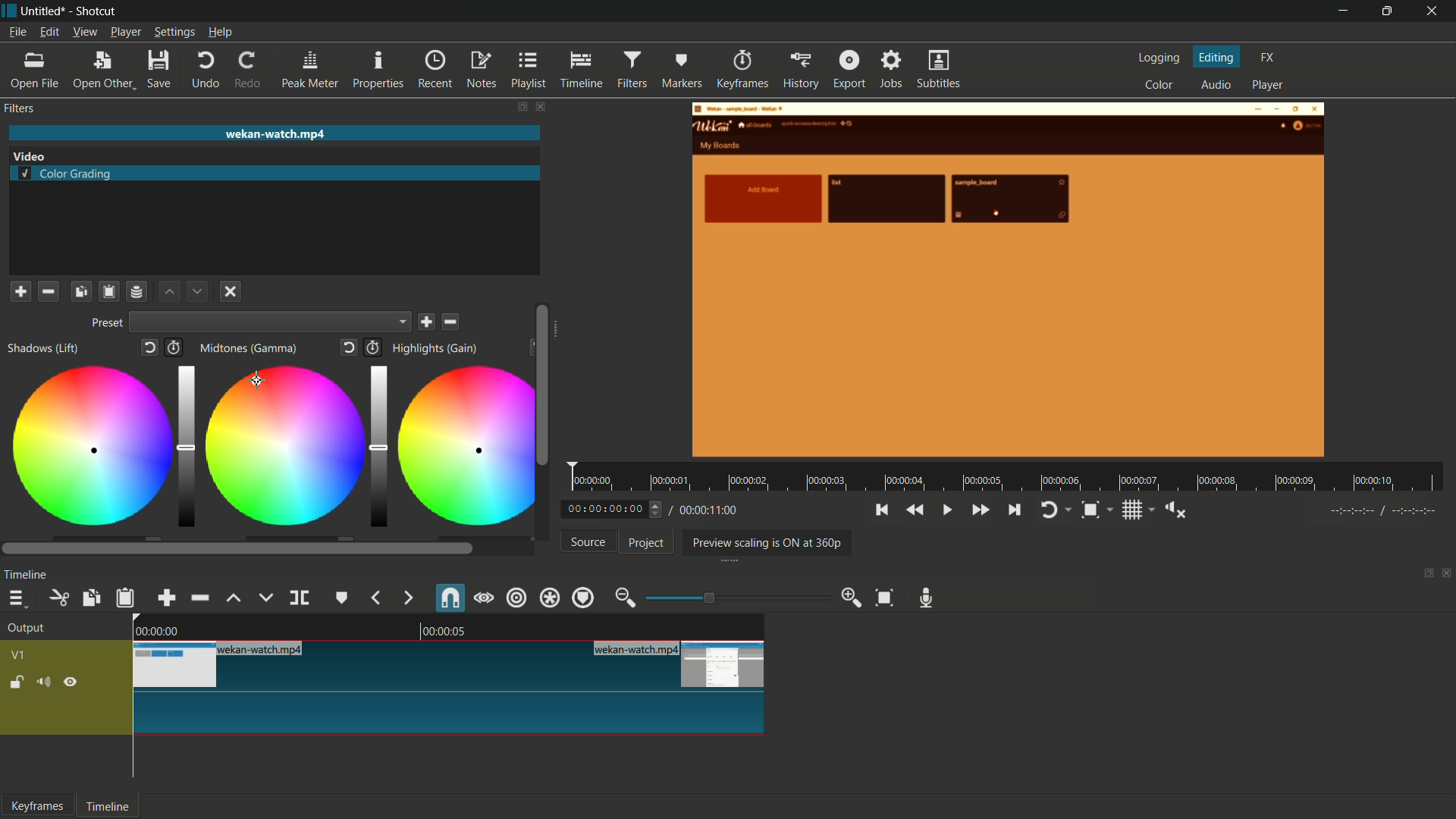 The height and width of the screenshot is (819, 1456). I want to click on minimize, so click(1340, 11).